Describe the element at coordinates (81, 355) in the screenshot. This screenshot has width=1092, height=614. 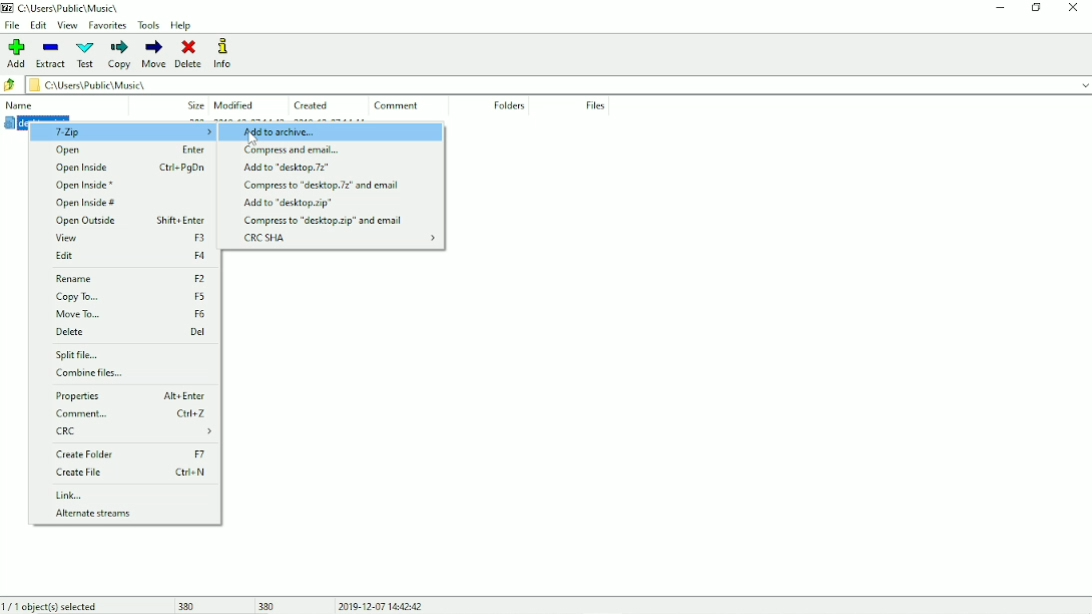
I see `Split file` at that location.